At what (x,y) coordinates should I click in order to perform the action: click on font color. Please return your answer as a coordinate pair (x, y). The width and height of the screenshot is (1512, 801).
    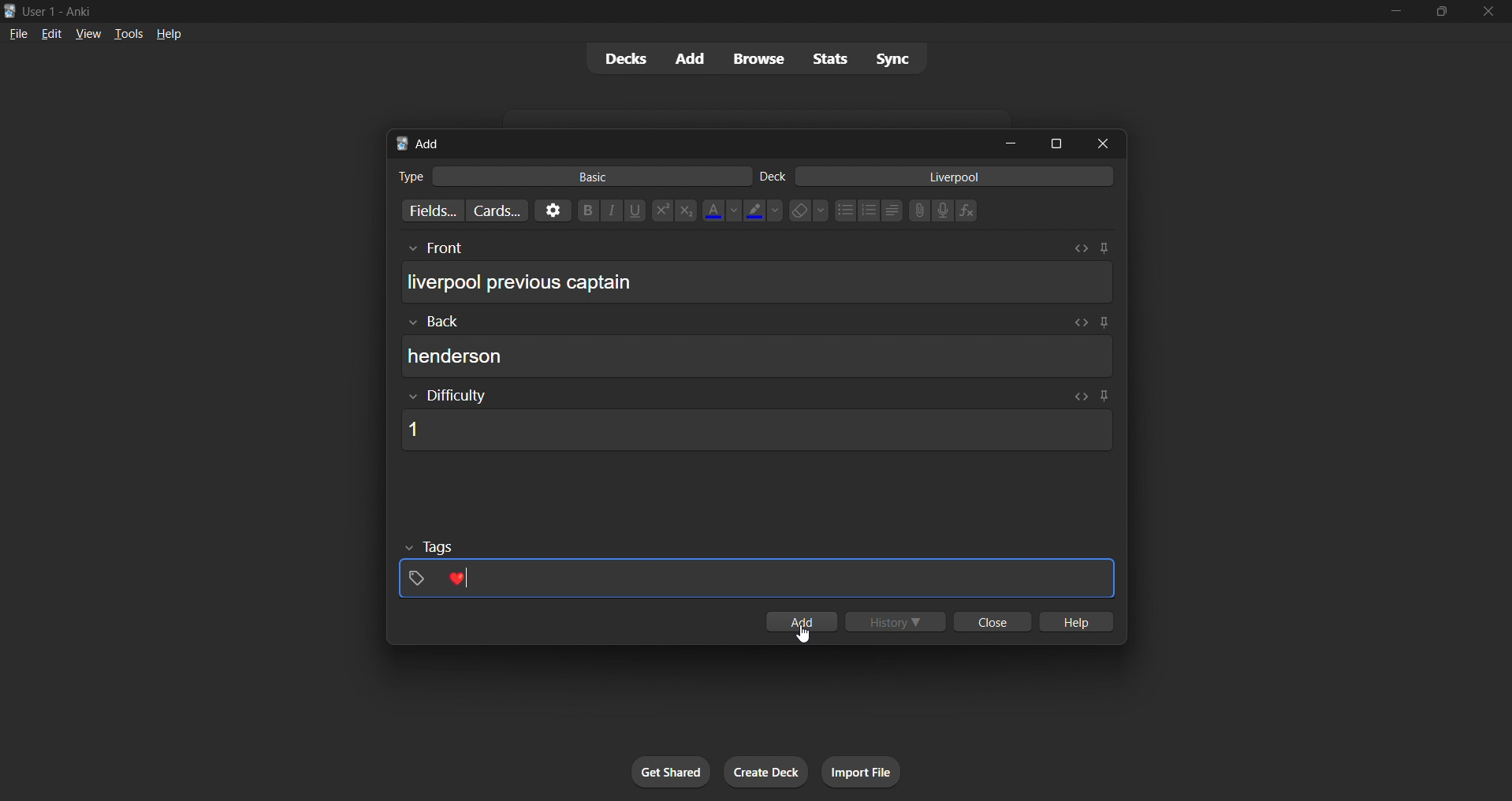
    Looking at the image, I should click on (717, 209).